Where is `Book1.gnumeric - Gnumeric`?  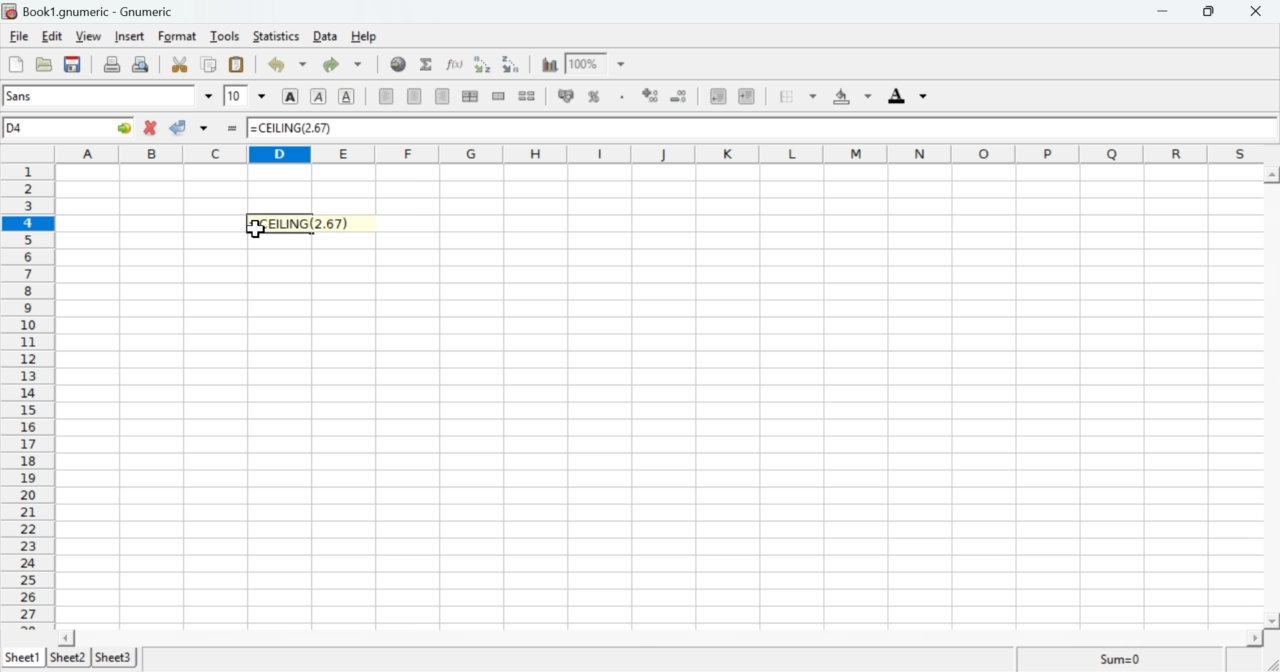 Book1.gnumeric - Gnumeric is located at coordinates (99, 11).